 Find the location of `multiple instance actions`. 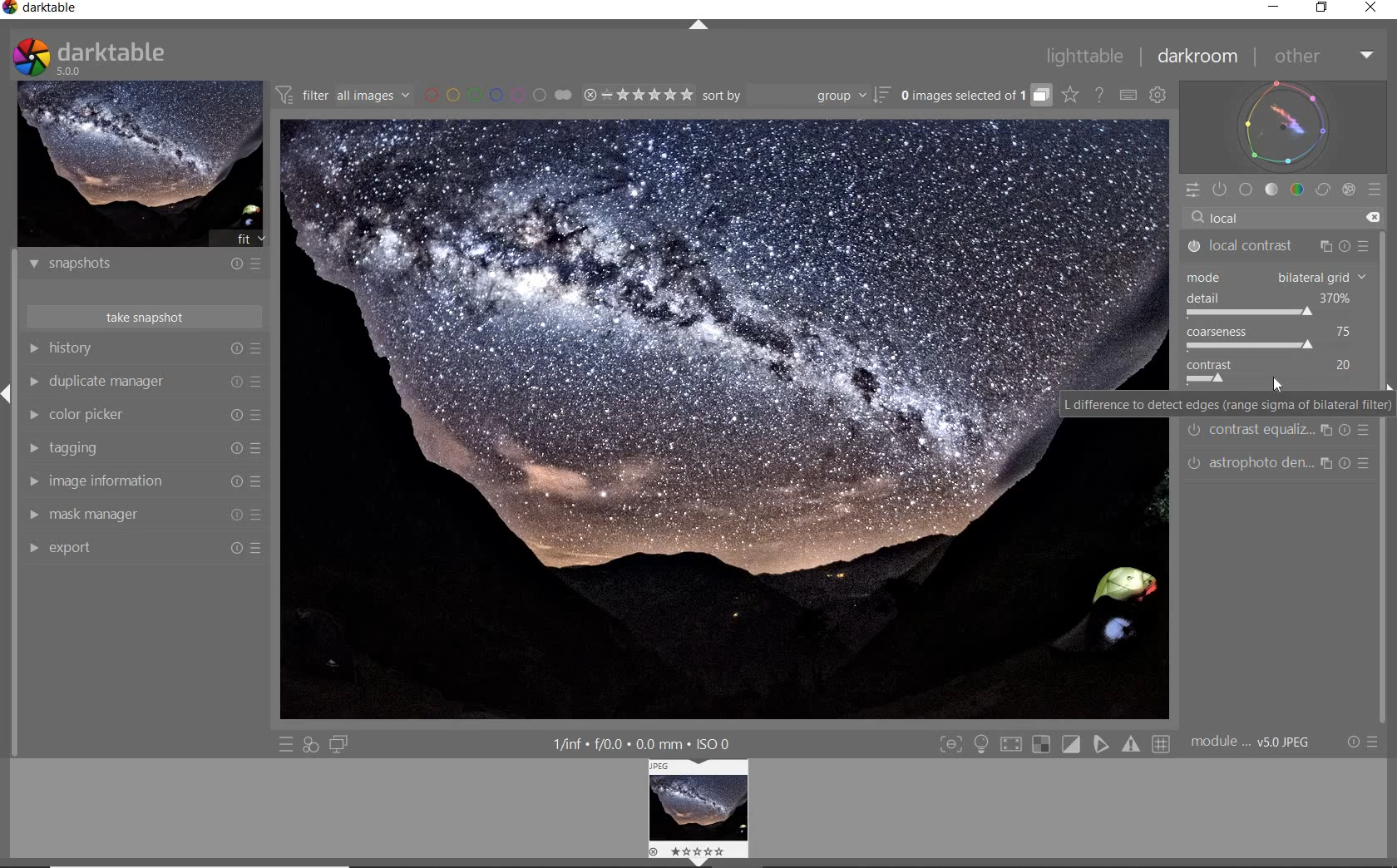

multiple instance actions is located at coordinates (1325, 429).